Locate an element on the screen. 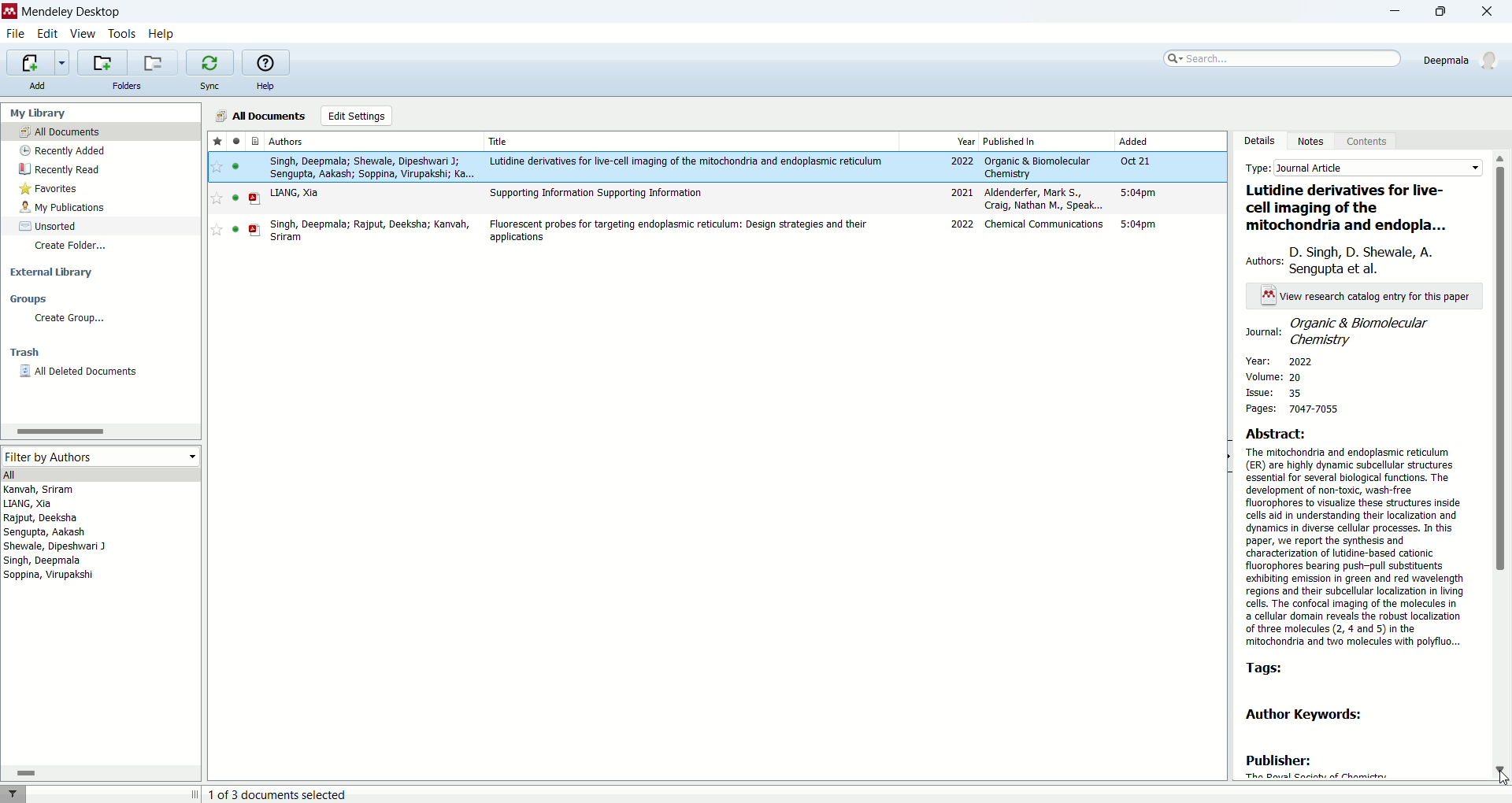  issue: 35 is located at coordinates (1283, 391).